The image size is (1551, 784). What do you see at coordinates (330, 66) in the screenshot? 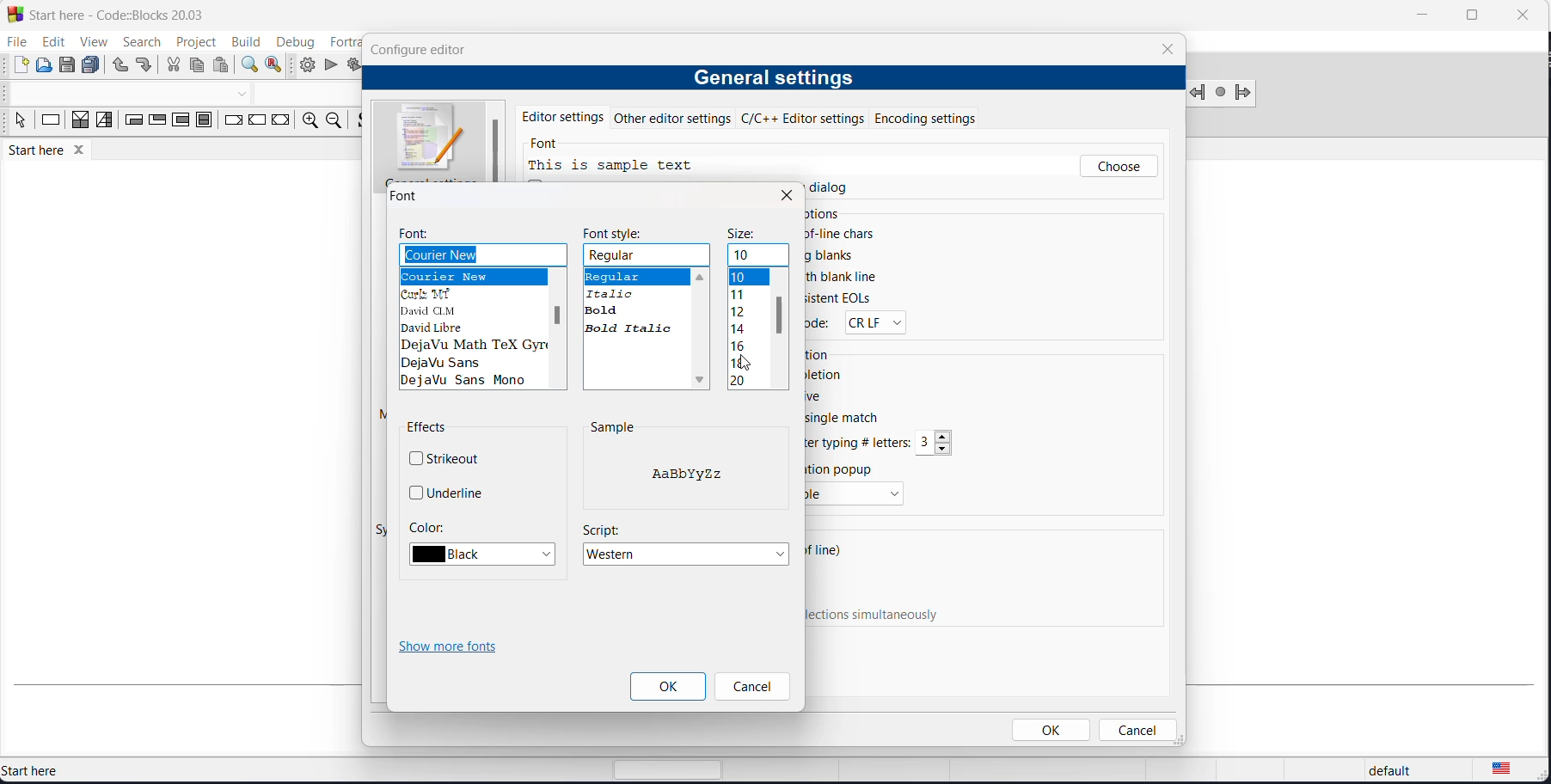
I see `run` at bounding box center [330, 66].